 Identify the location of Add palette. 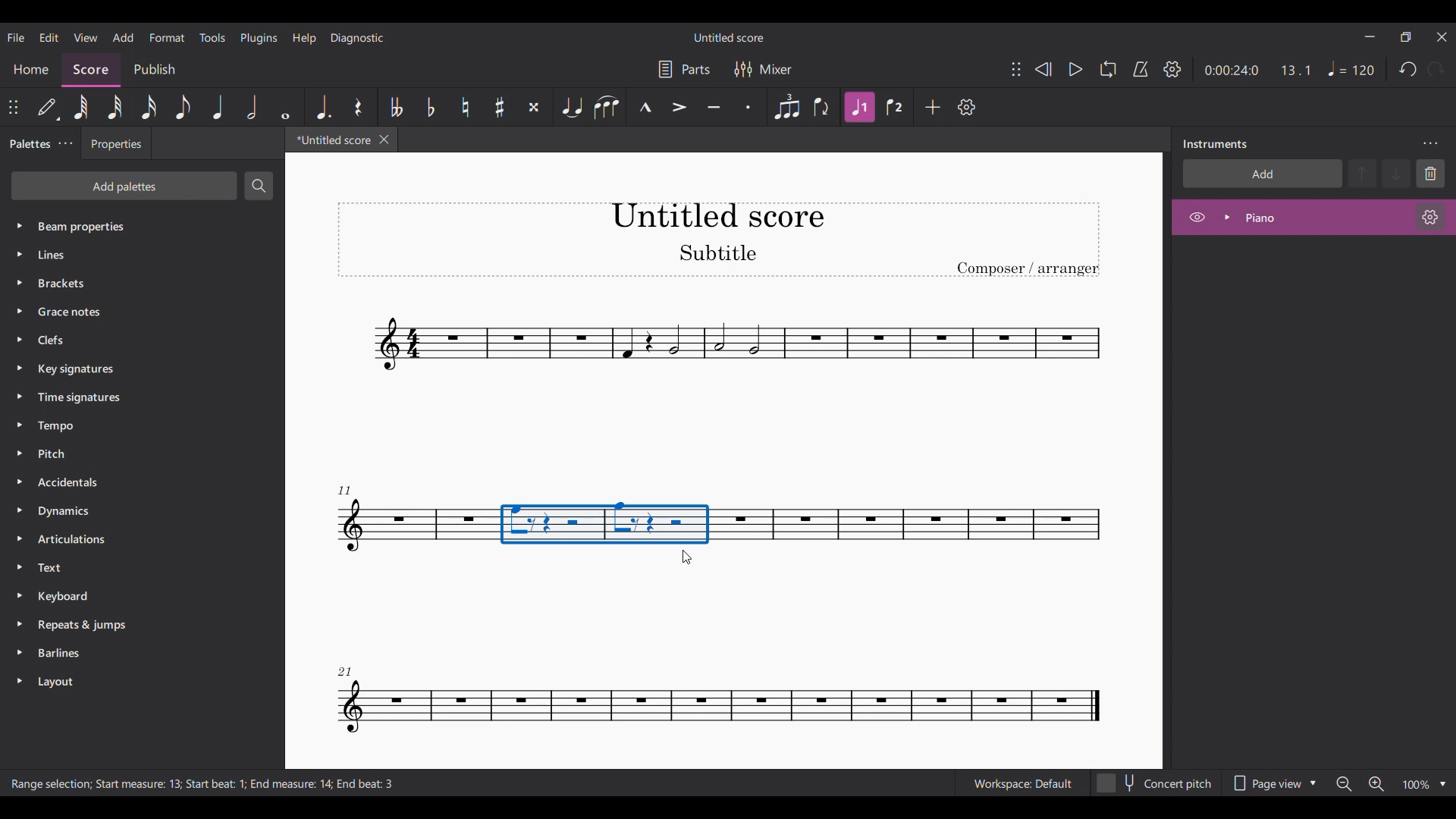
(124, 186).